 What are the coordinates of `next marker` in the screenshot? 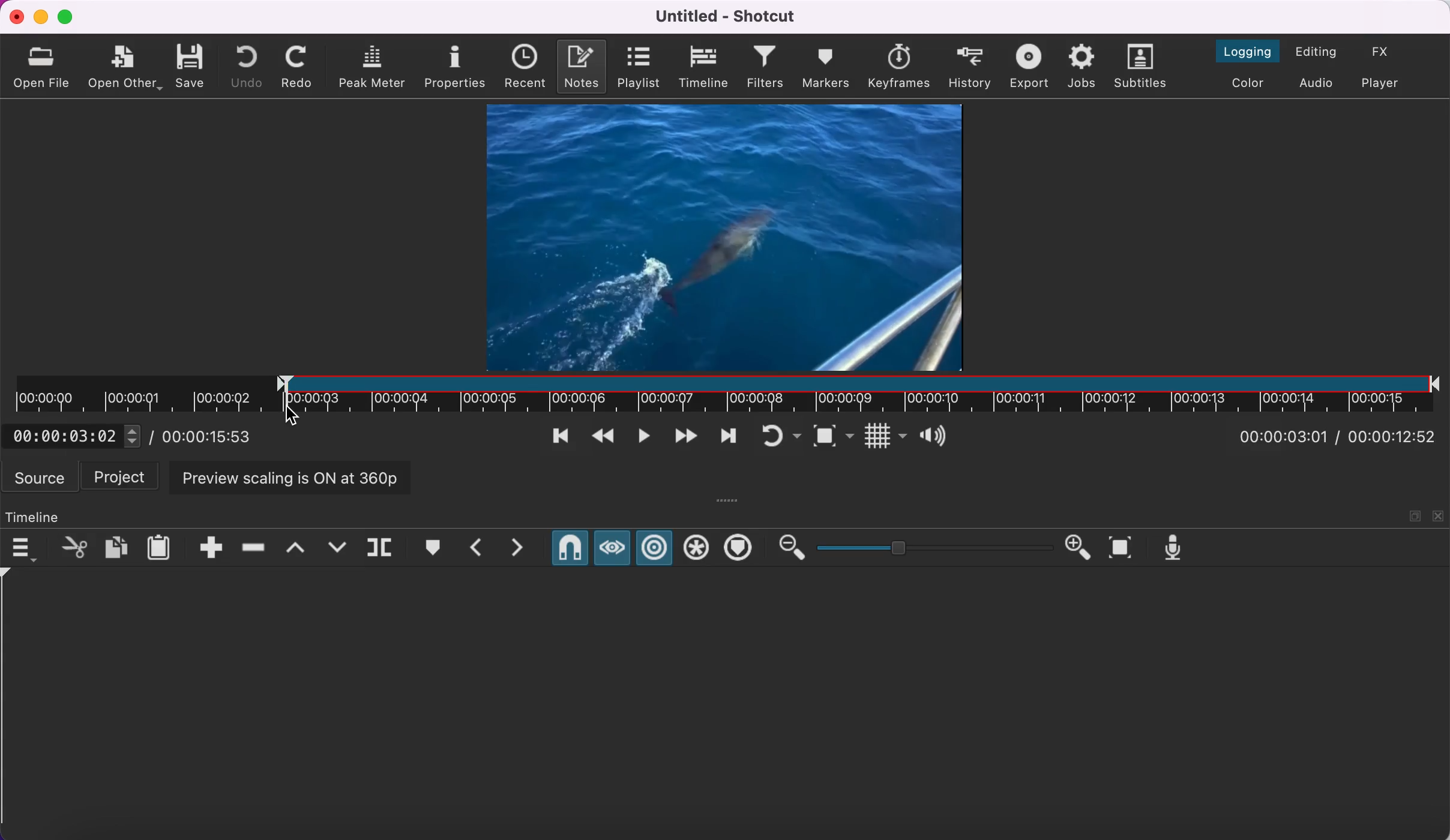 It's located at (520, 548).